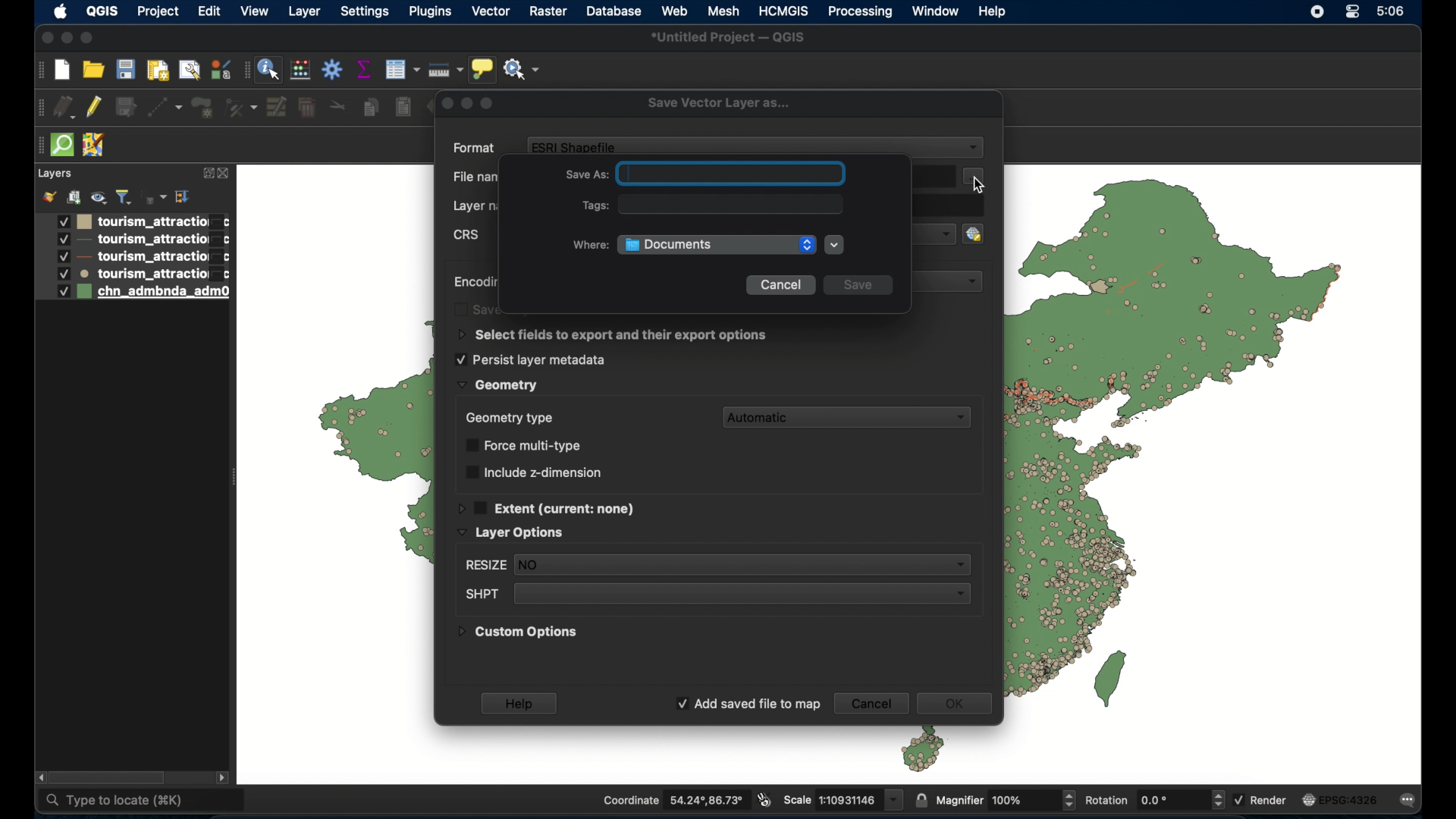 This screenshot has width=1456, height=819. I want to click on geometry type, so click(509, 417).